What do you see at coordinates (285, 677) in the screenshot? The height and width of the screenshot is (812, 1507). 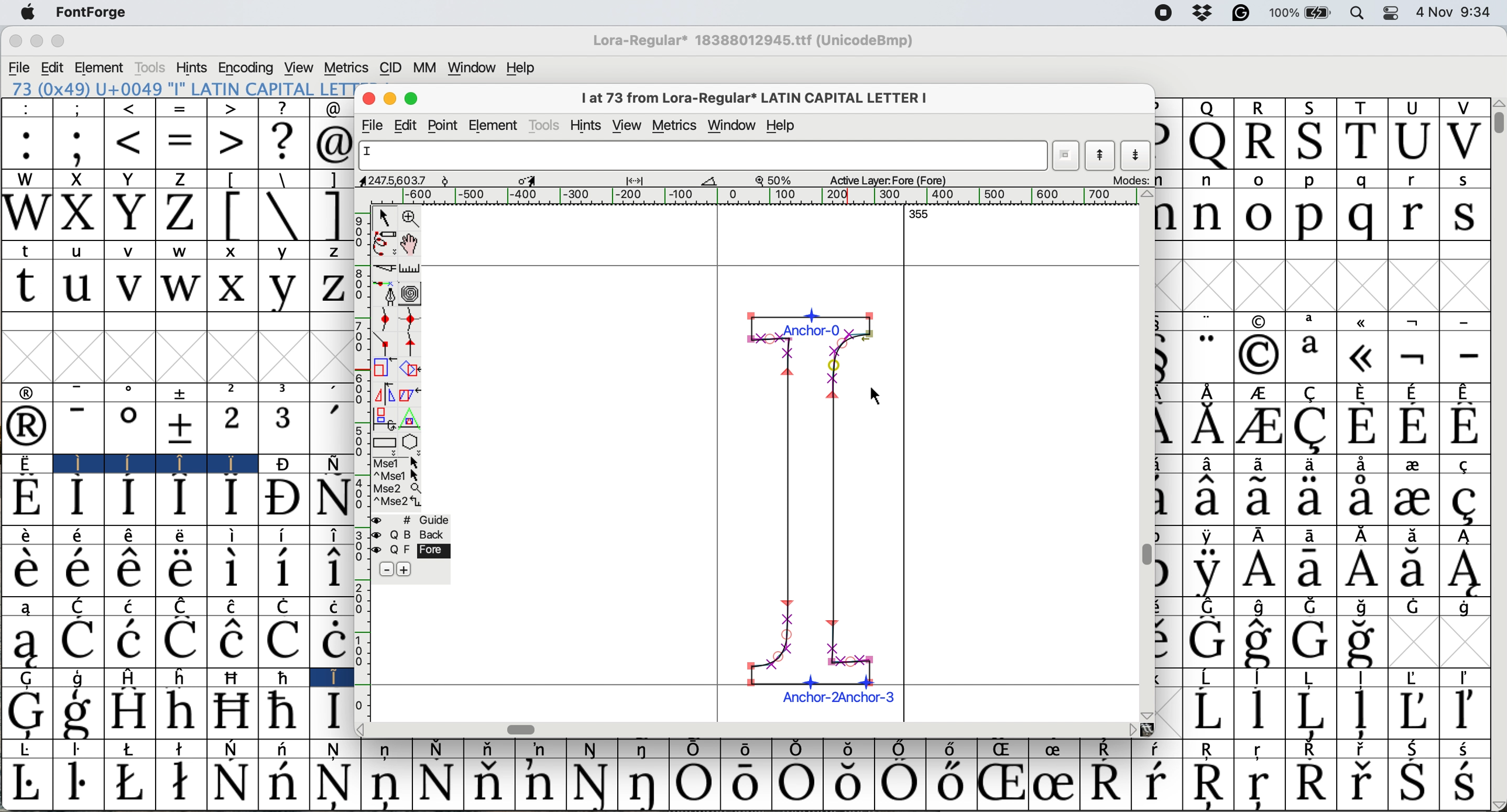 I see `Symbol` at bounding box center [285, 677].